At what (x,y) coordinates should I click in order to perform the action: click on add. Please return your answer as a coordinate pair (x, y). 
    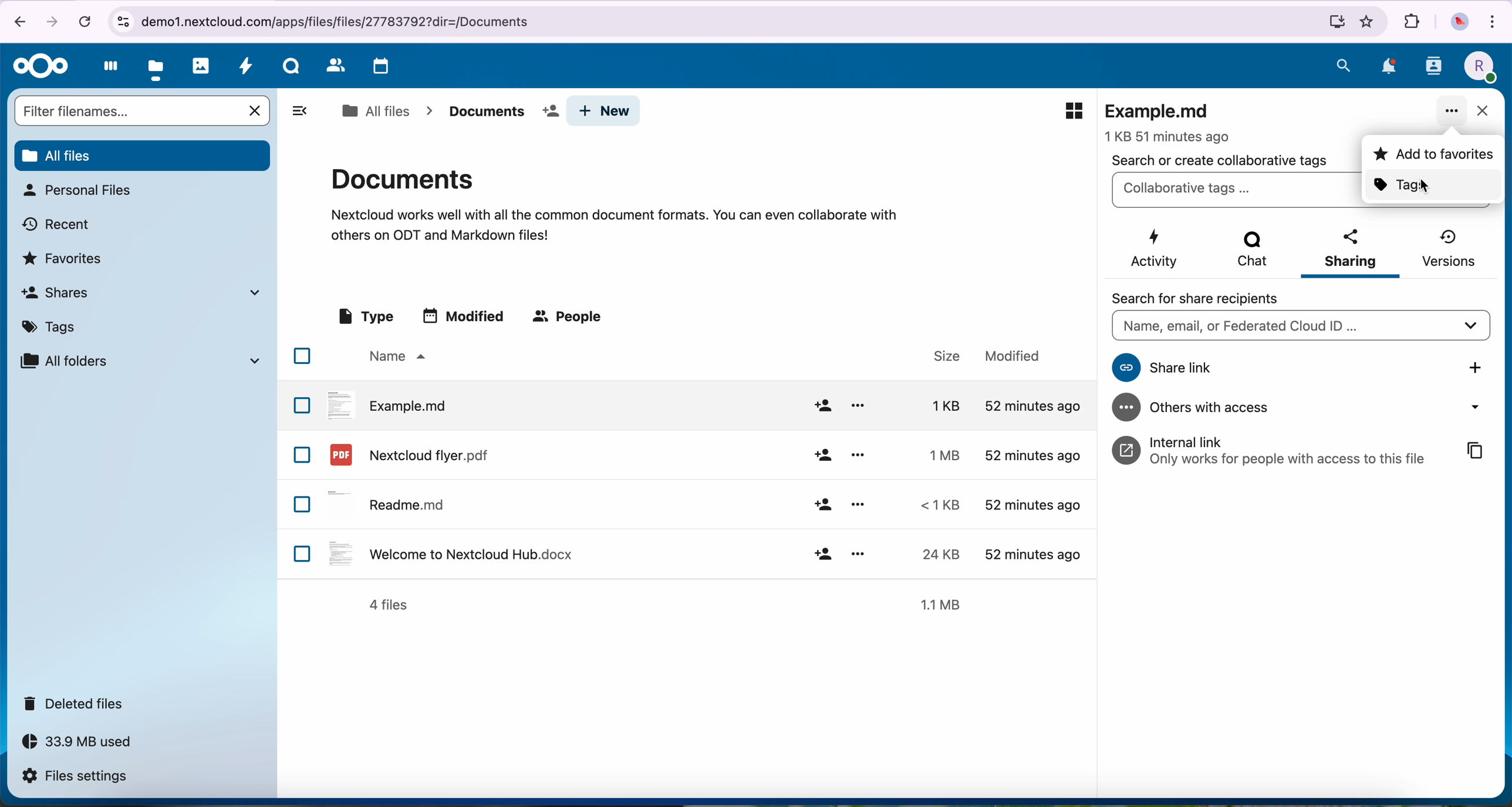
    Looking at the image, I should click on (822, 406).